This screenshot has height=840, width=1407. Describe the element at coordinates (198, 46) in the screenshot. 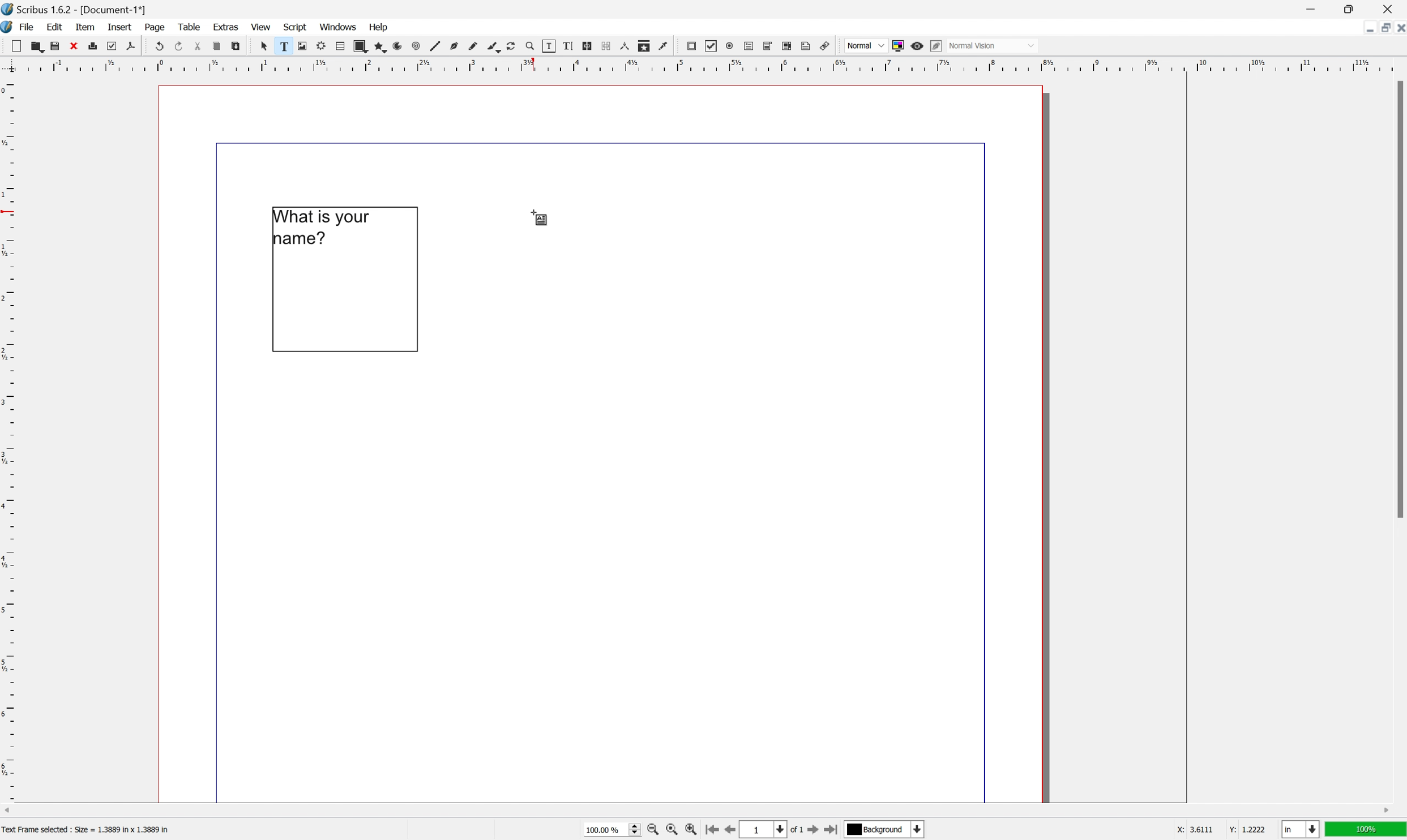

I see `cut` at that location.